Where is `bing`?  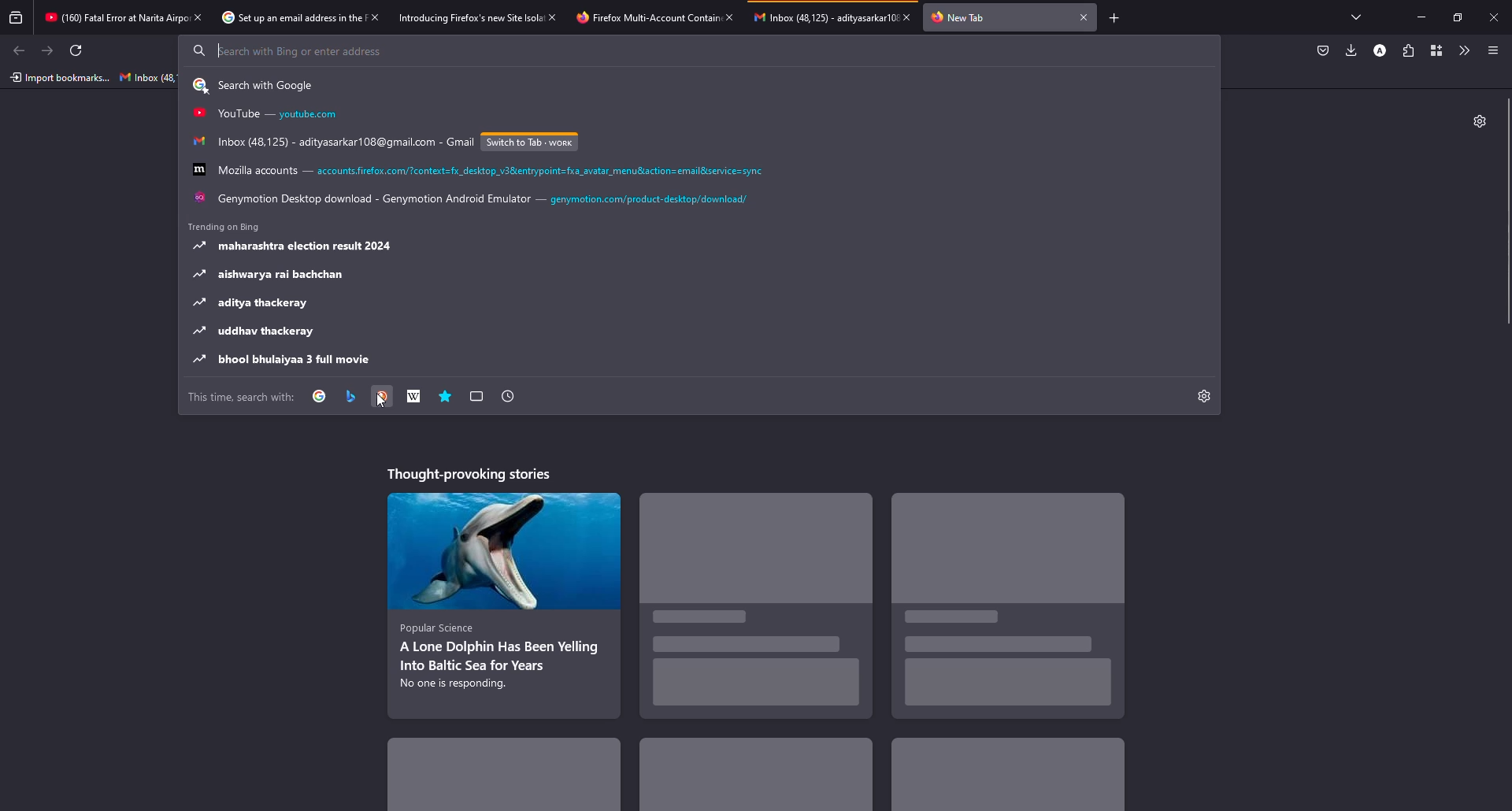
bing is located at coordinates (350, 397).